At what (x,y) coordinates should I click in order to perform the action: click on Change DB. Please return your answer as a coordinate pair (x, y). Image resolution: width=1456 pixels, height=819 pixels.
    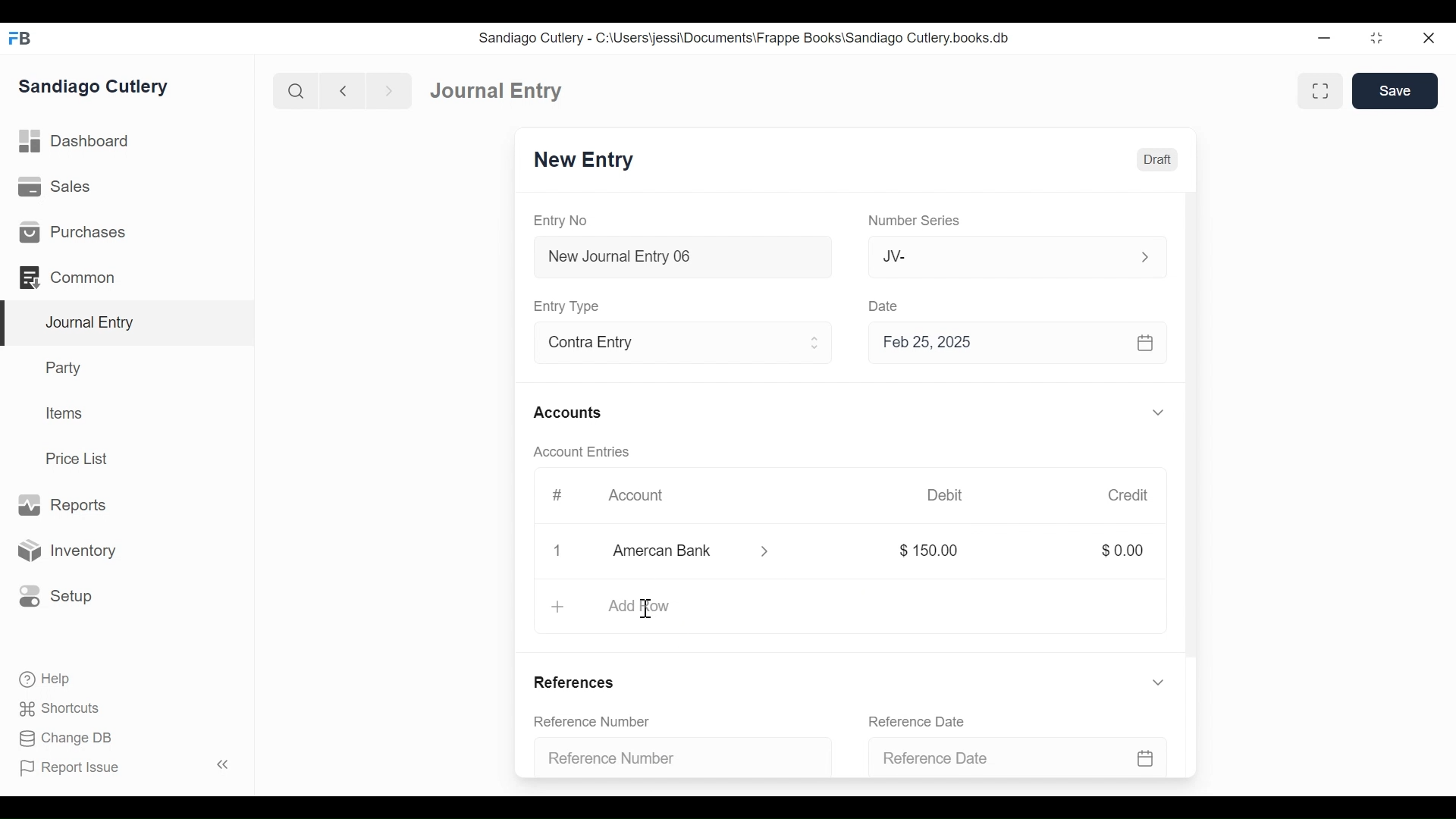
    Looking at the image, I should click on (68, 740).